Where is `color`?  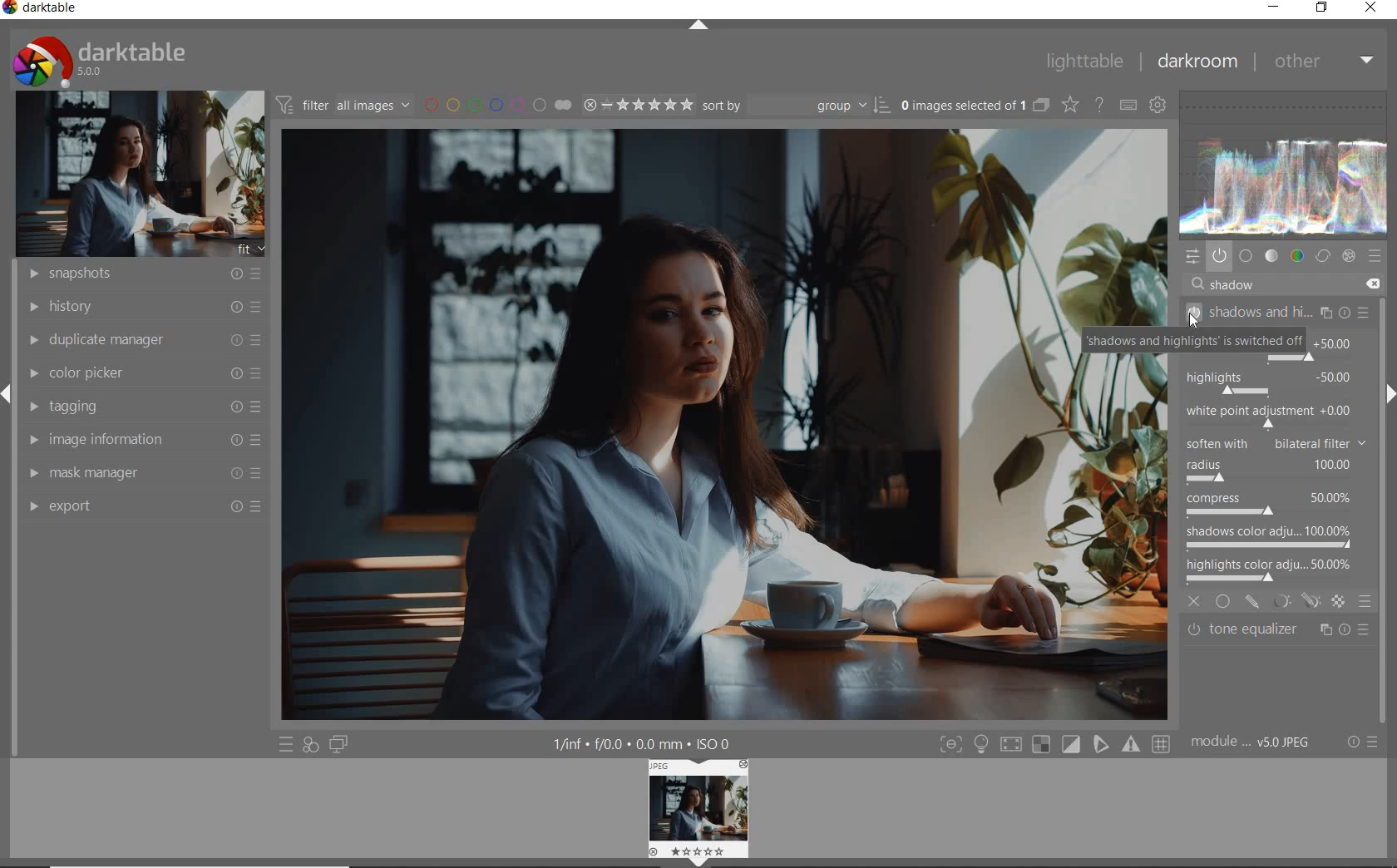
color is located at coordinates (1296, 256).